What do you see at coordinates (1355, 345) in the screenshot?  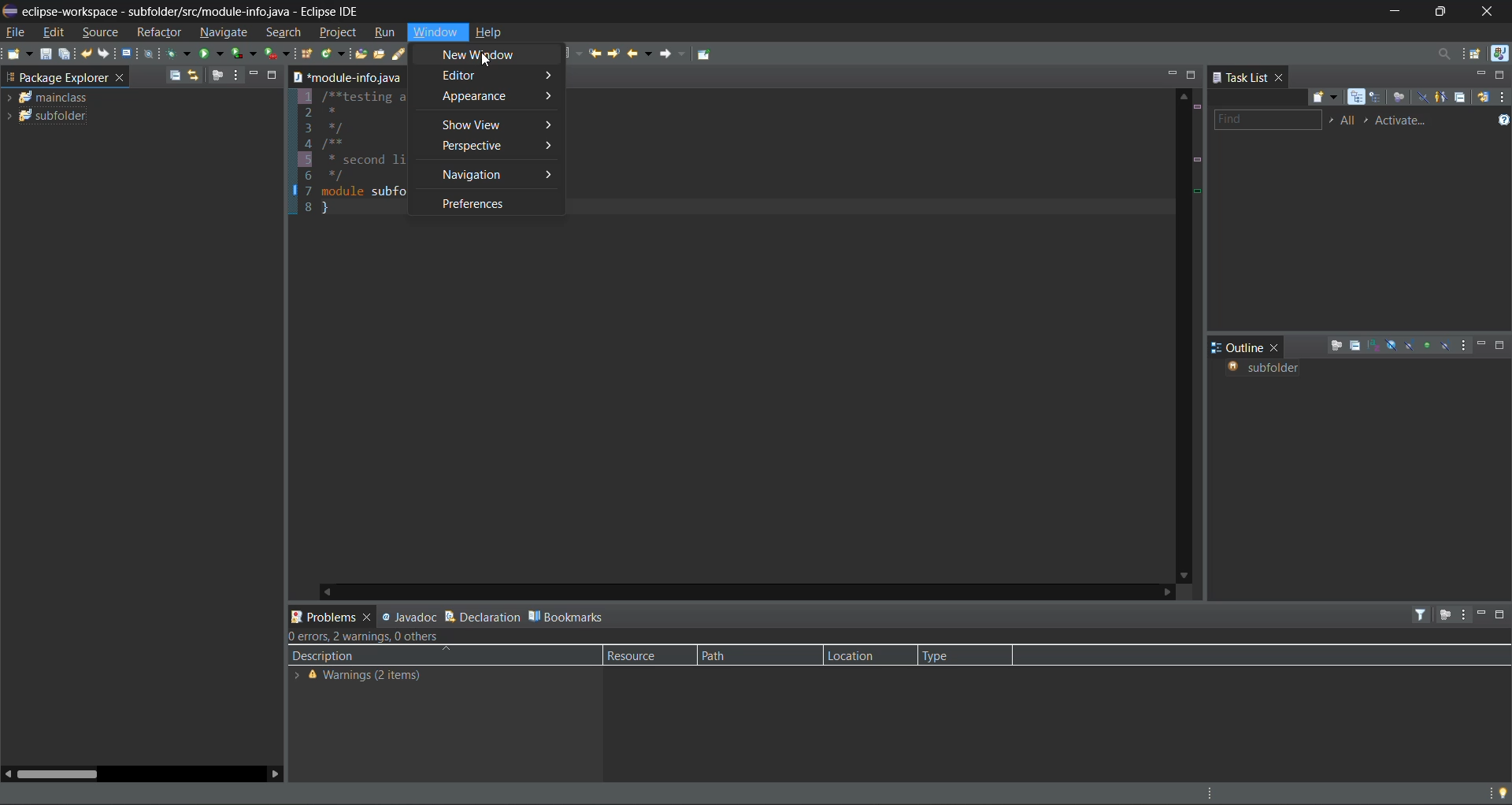 I see `collapse all` at bounding box center [1355, 345].